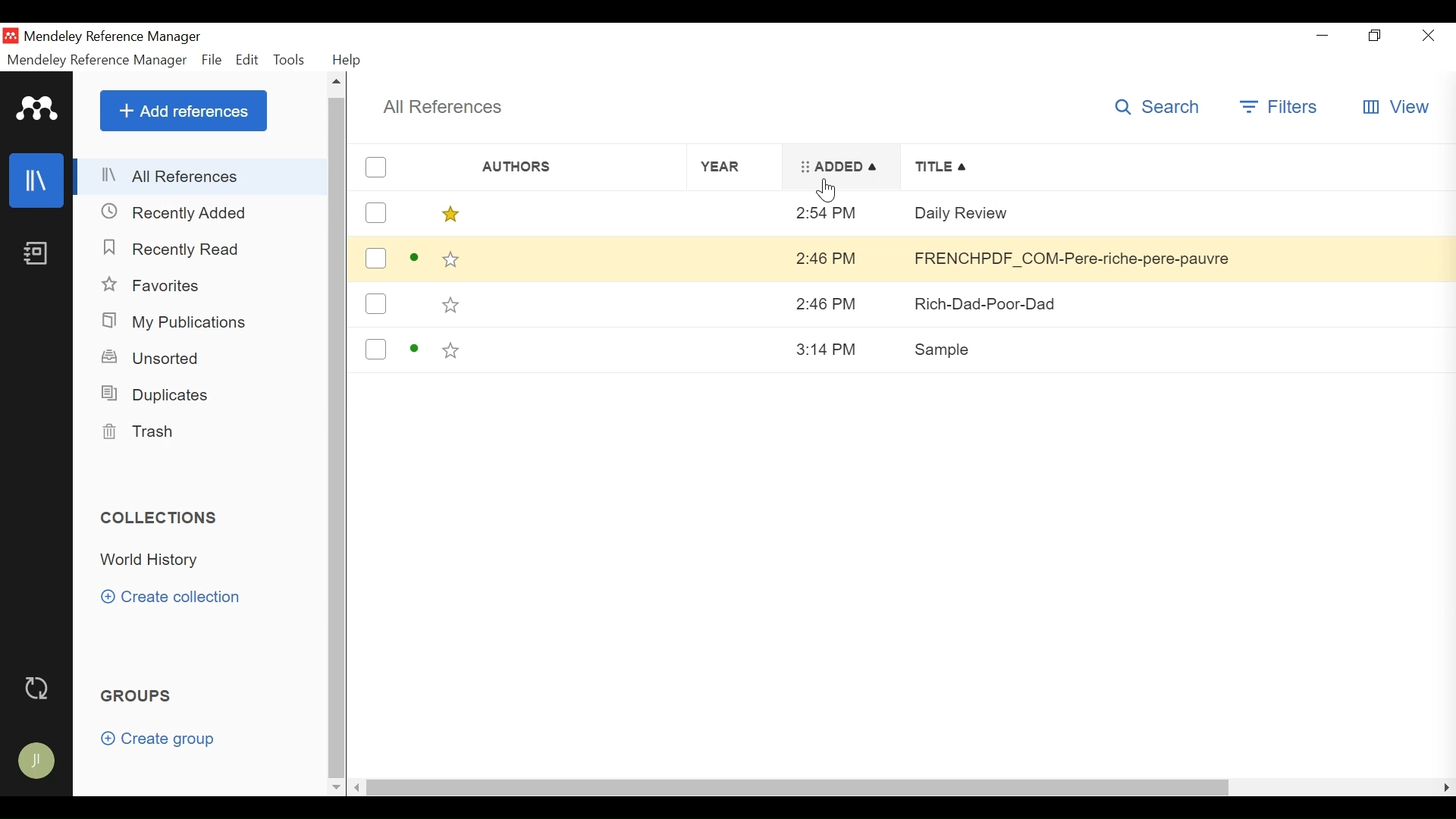 This screenshot has width=1456, height=819. What do you see at coordinates (39, 255) in the screenshot?
I see `Notes` at bounding box center [39, 255].